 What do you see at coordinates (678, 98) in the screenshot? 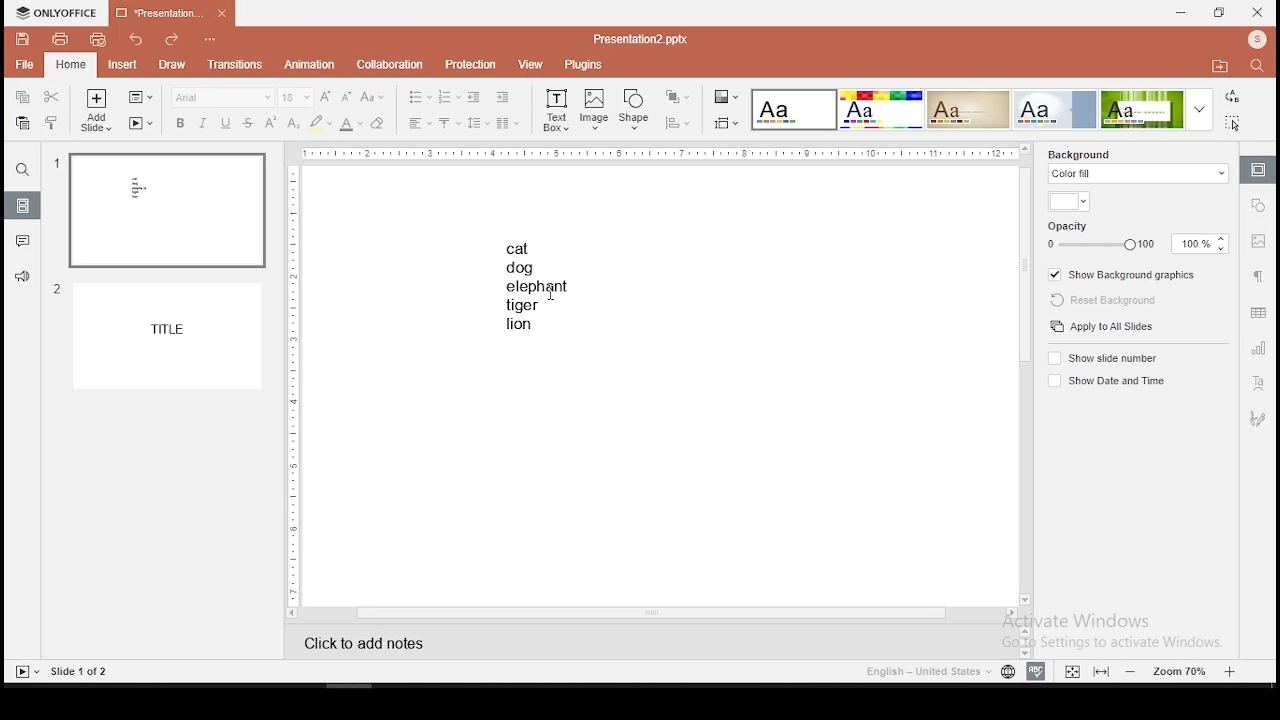
I see `arrange objects` at bounding box center [678, 98].